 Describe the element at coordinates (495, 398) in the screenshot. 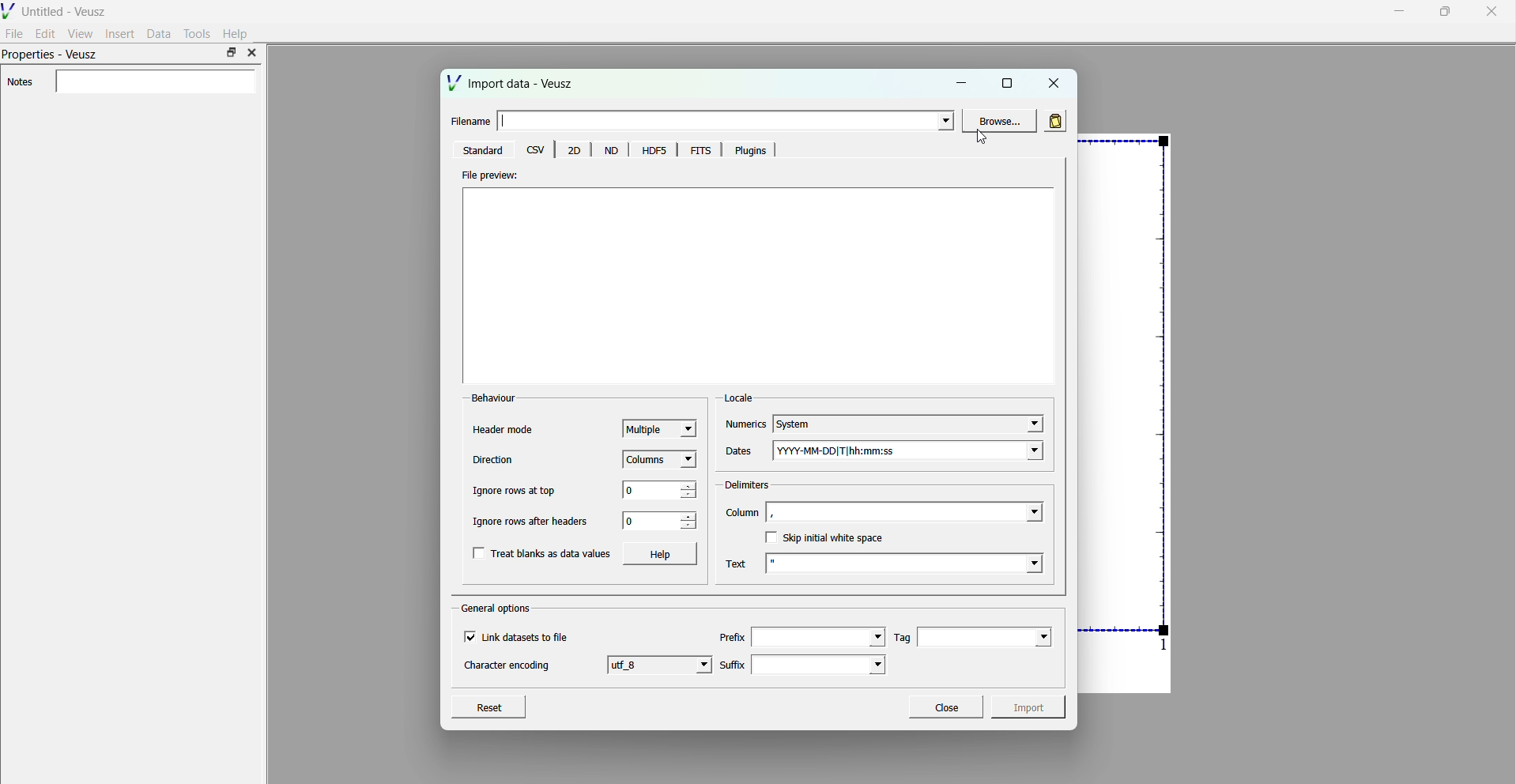

I see `Behaviour` at that location.